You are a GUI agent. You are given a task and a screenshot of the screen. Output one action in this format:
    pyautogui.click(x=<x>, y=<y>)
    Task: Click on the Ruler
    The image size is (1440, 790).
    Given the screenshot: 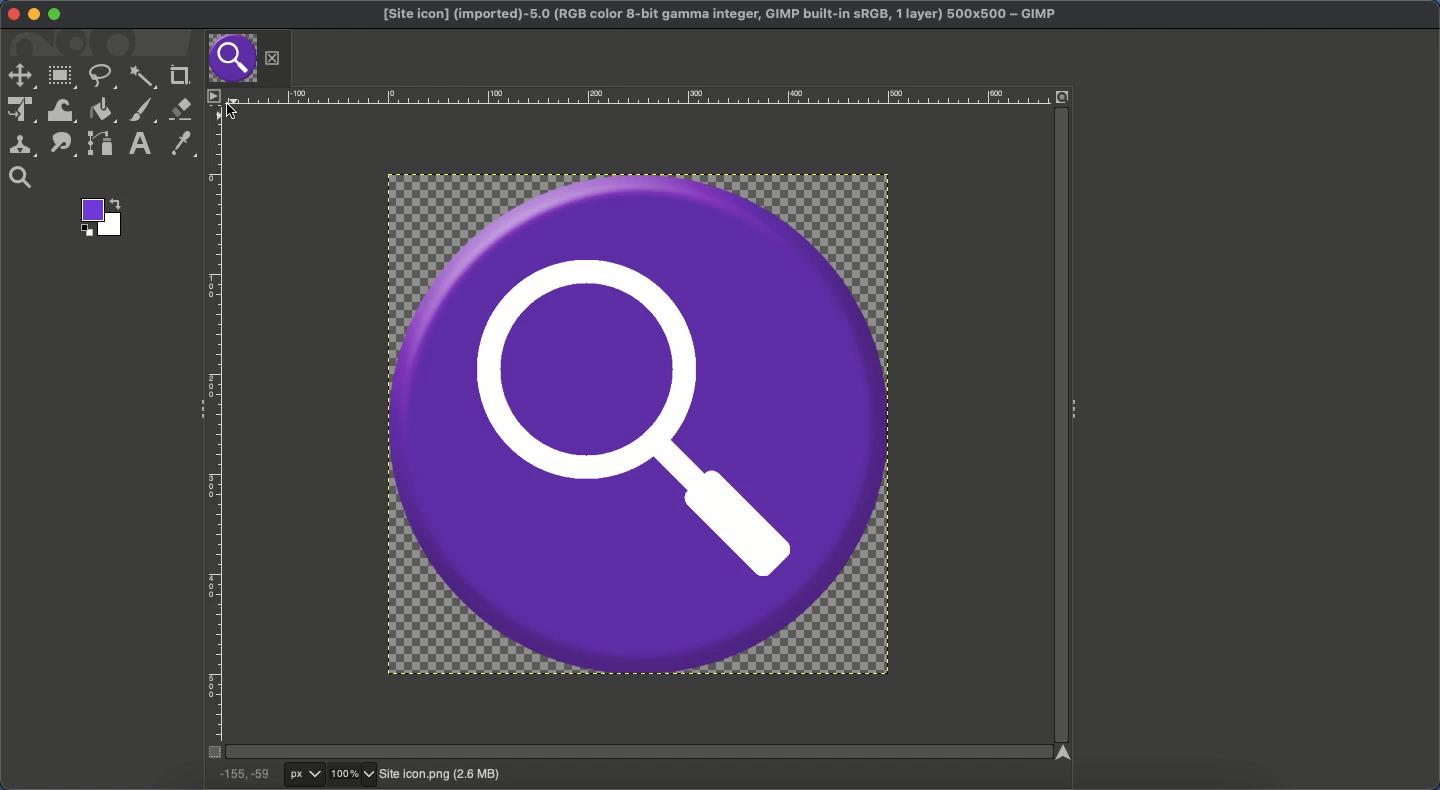 What is the action you would take?
    pyautogui.click(x=215, y=432)
    